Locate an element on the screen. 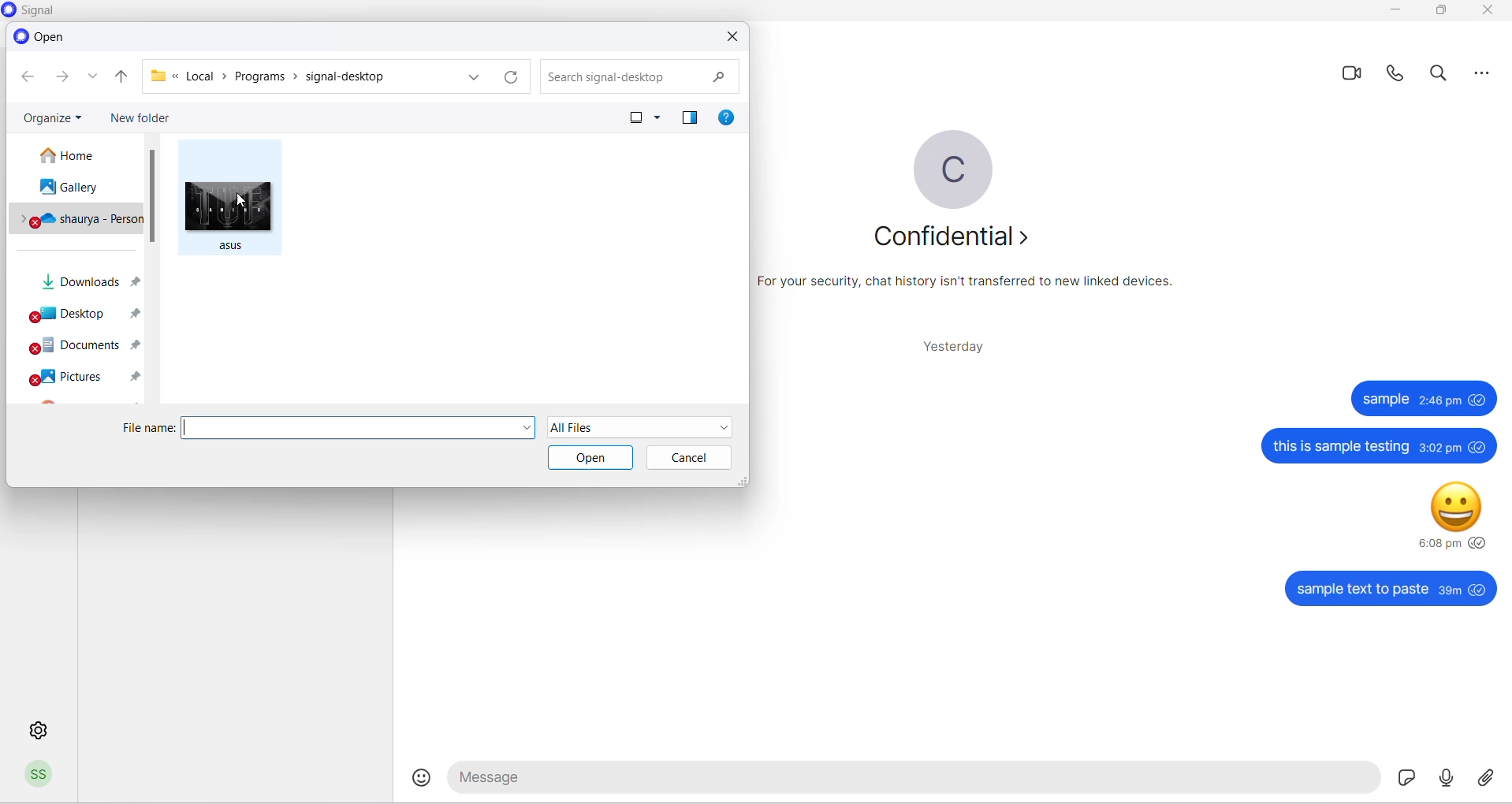 Image resolution: width=1512 pixels, height=804 pixels. pictures is located at coordinates (84, 378).